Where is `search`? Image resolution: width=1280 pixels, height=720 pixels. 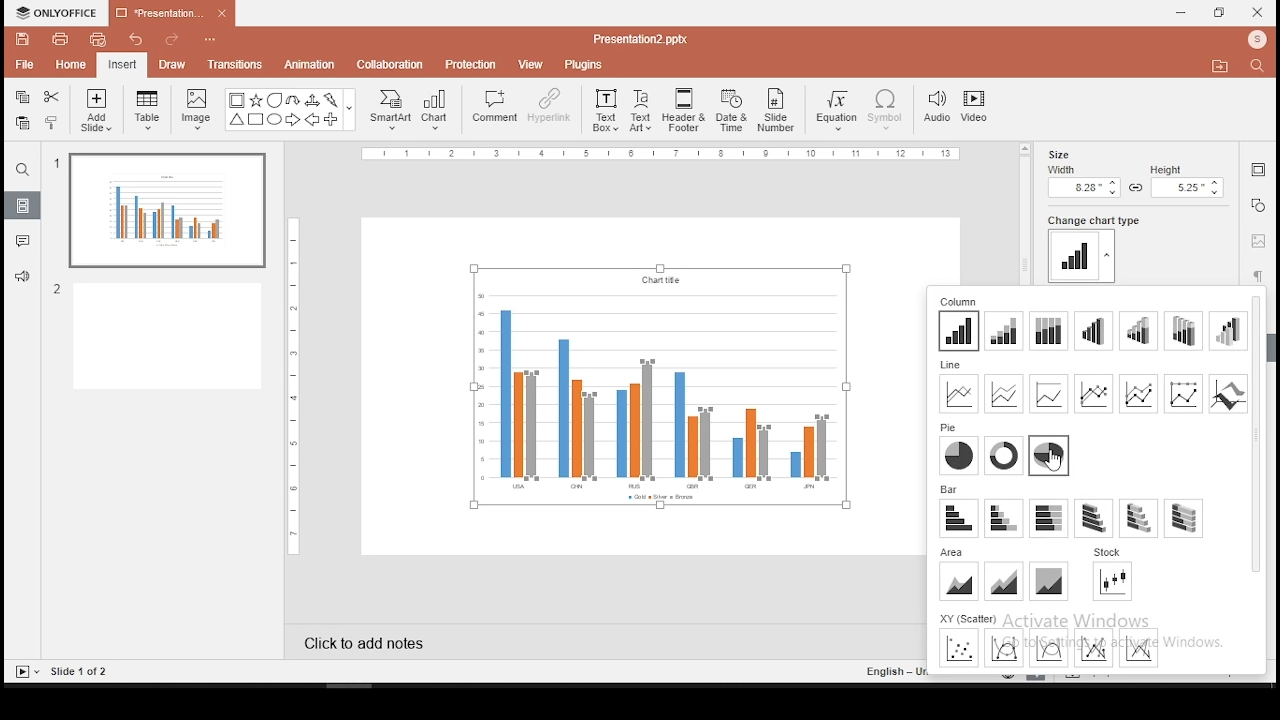
search is located at coordinates (1260, 67).